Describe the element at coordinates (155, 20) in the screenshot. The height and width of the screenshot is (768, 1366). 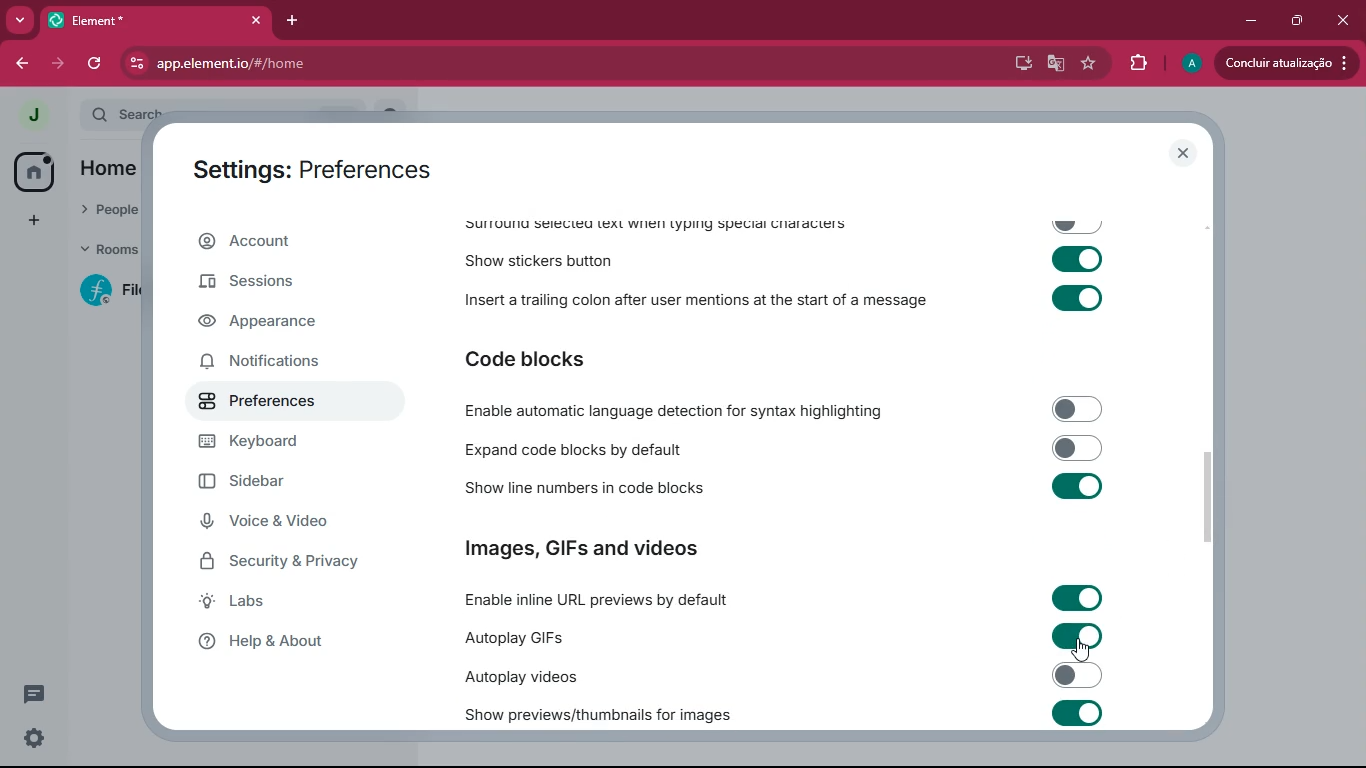
I see `element` at that location.